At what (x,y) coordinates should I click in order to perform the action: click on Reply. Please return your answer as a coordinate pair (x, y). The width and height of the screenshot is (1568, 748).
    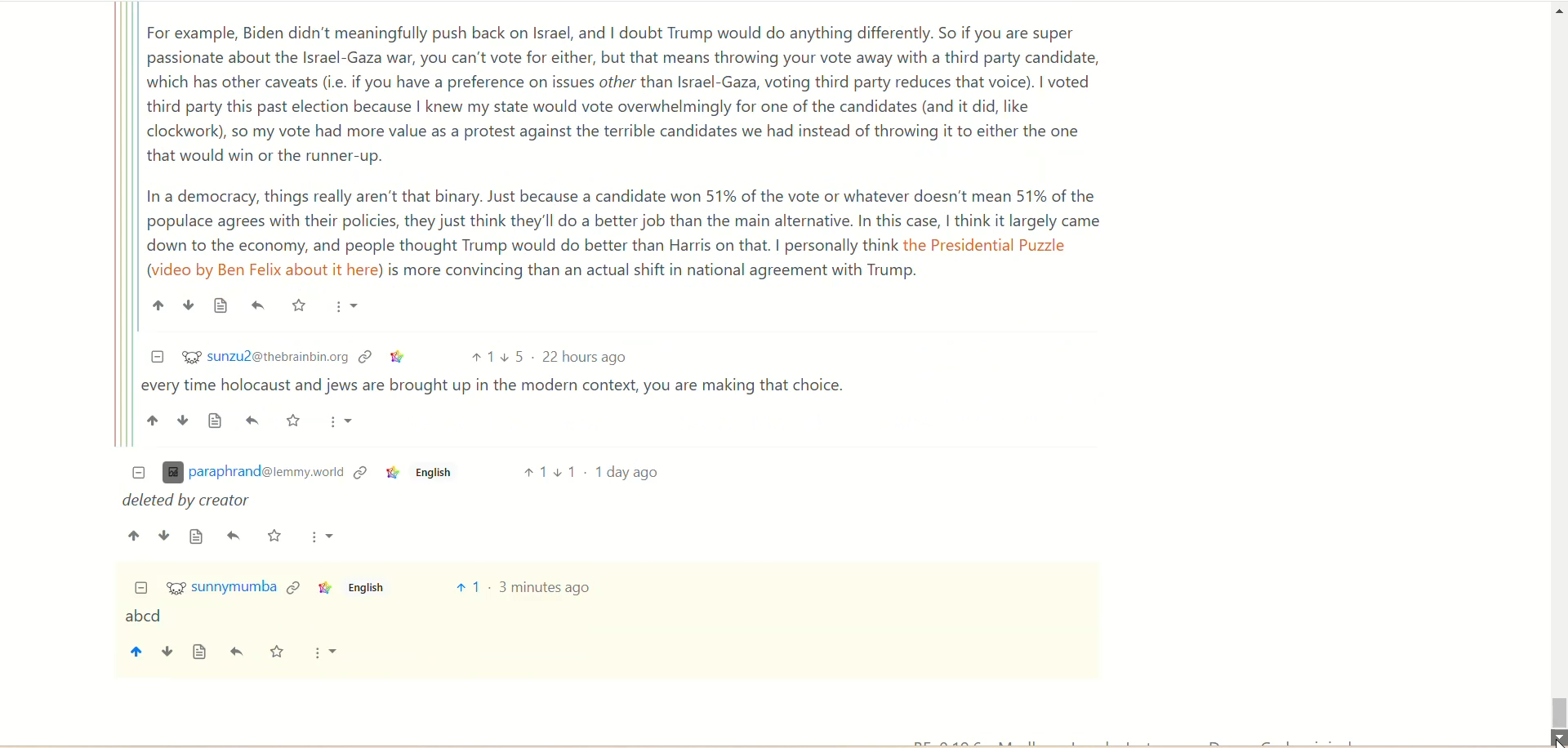
    Looking at the image, I should click on (253, 420).